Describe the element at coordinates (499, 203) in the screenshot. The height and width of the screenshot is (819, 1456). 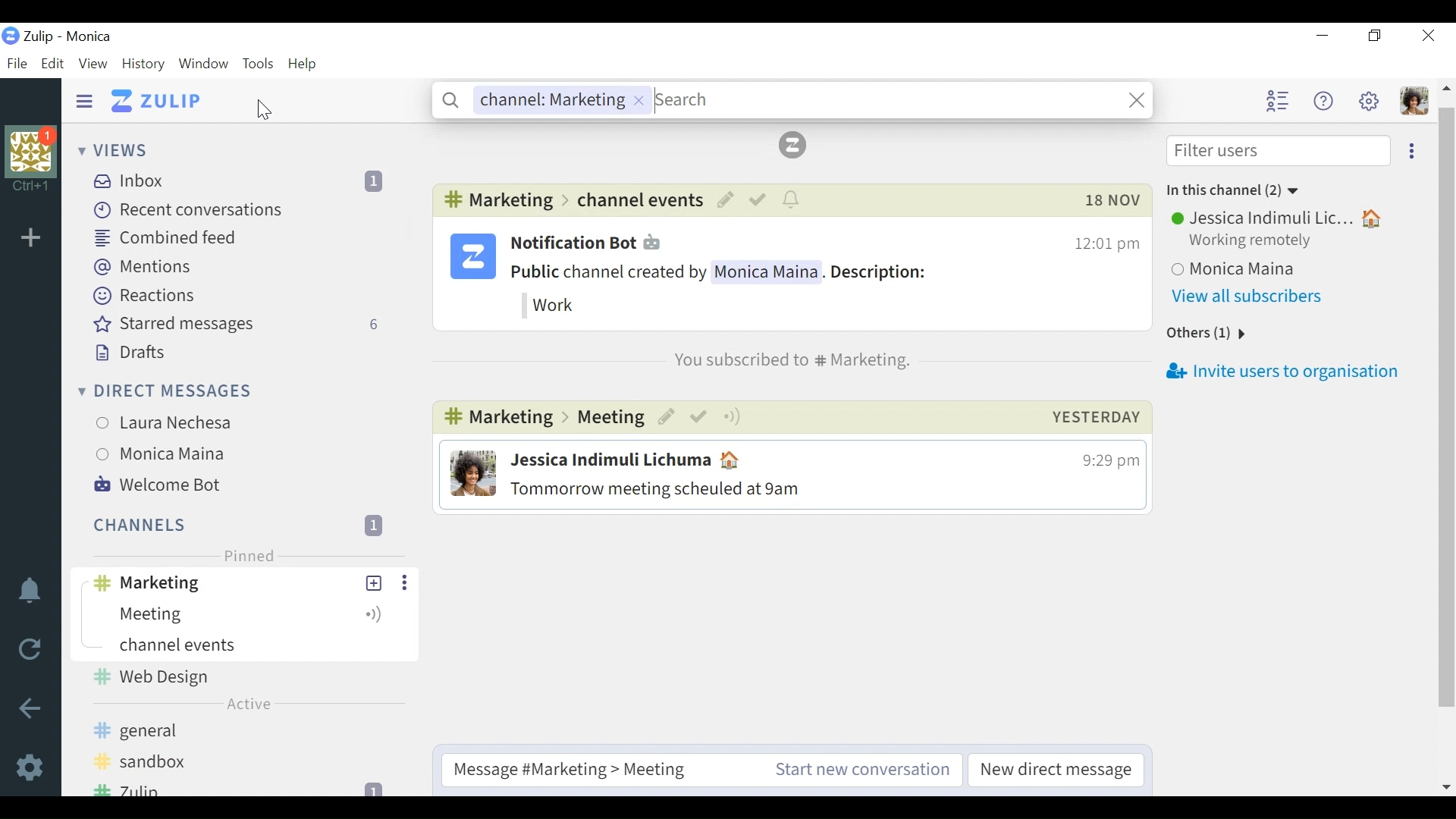
I see `#channel` at that location.